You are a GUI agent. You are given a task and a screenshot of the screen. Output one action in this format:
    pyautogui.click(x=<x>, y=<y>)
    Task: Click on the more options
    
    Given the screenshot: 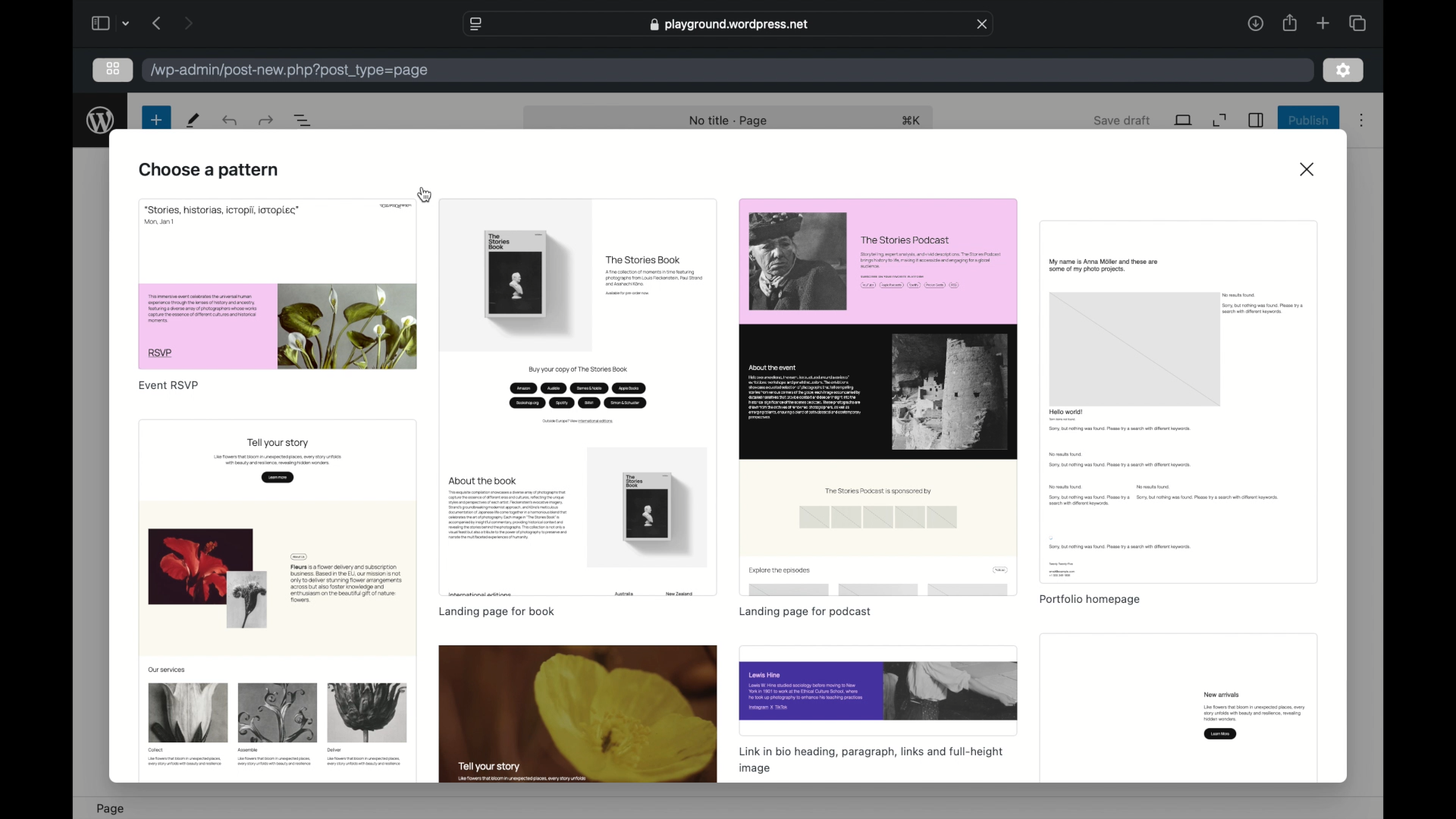 What is the action you would take?
    pyautogui.click(x=1362, y=121)
    